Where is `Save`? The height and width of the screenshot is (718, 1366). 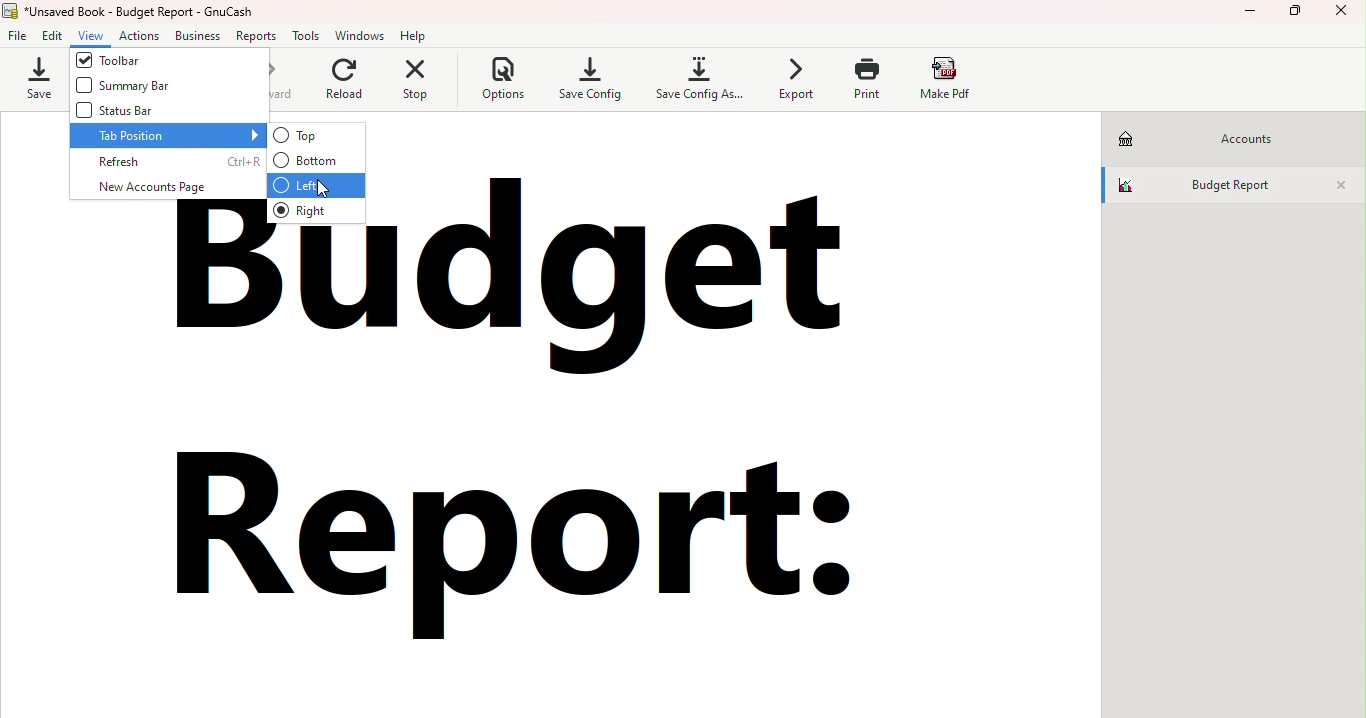
Save is located at coordinates (36, 79).